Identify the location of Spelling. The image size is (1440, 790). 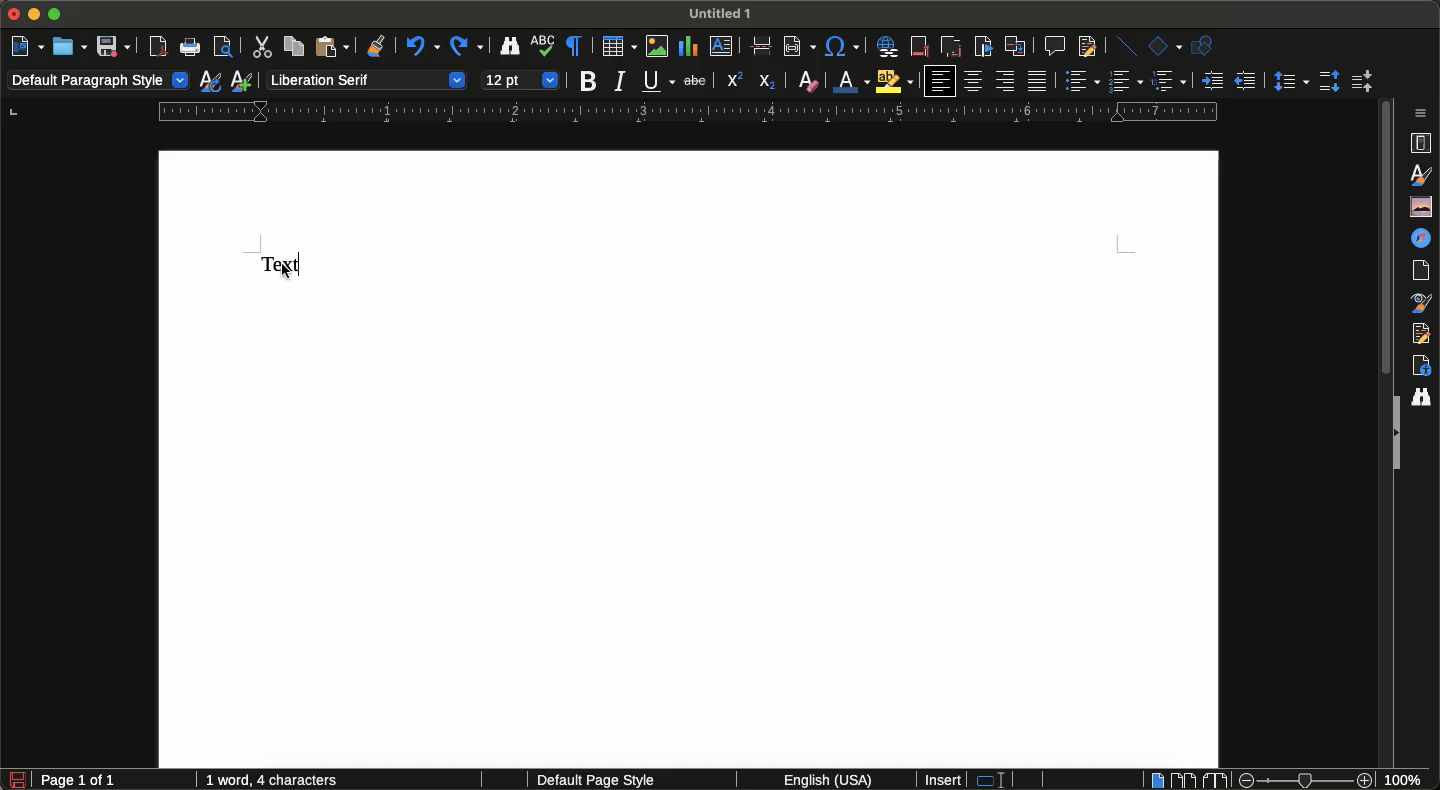
(544, 48).